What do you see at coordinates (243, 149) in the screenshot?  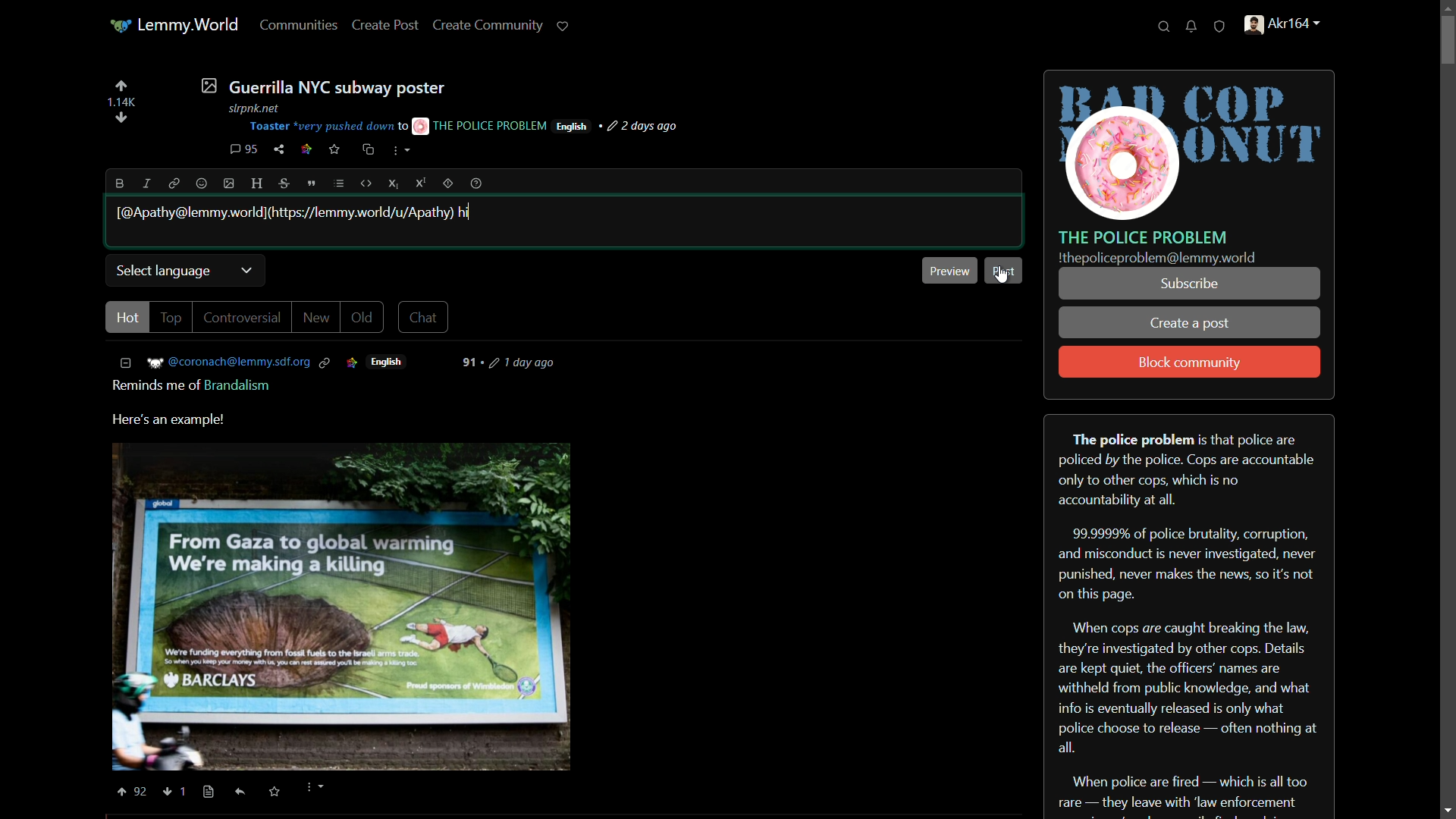 I see `comment` at bounding box center [243, 149].